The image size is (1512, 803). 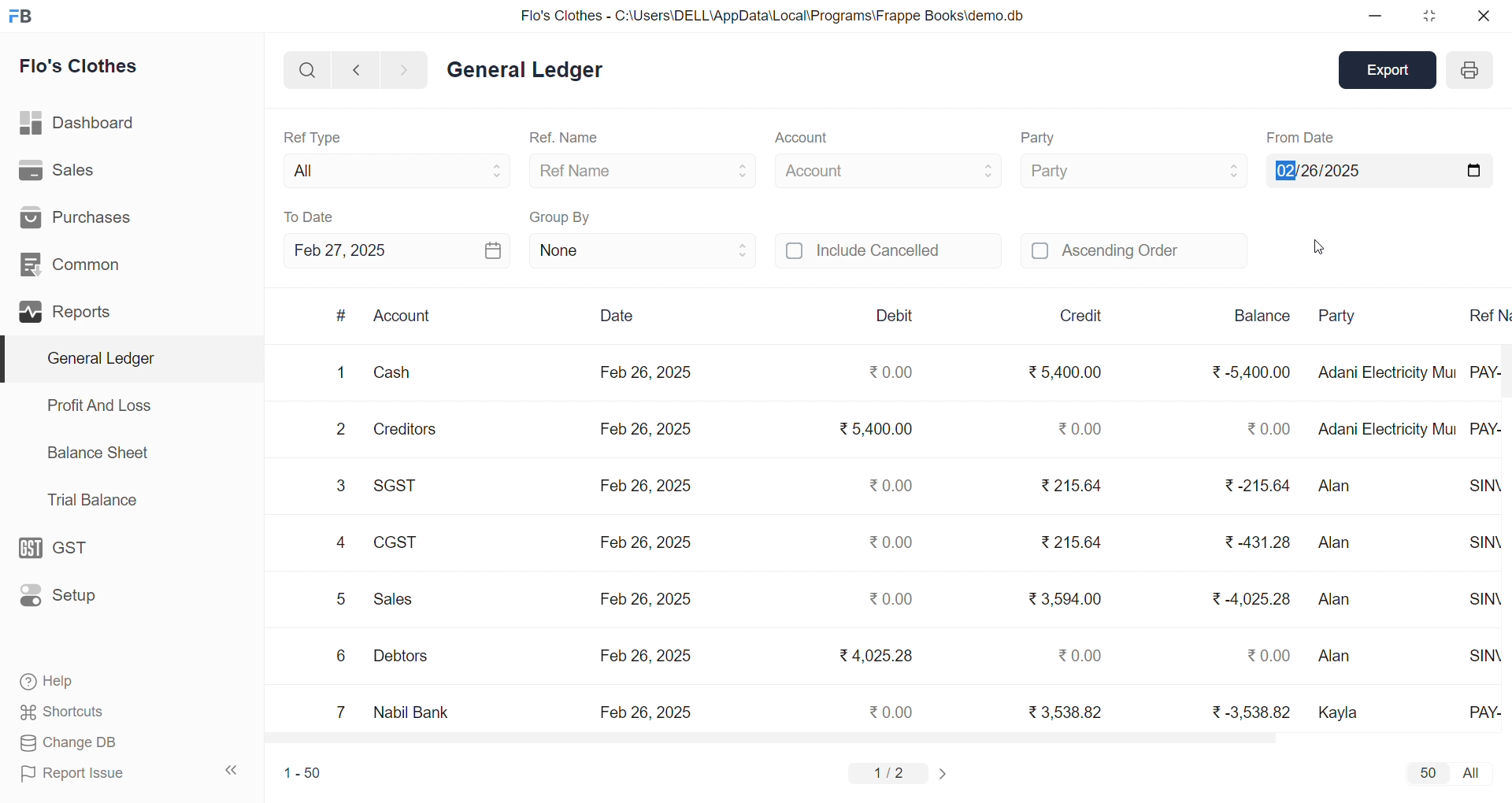 What do you see at coordinates (1386, 372) in the screenshot?
I see `Adani Electricity Mui..` at bounding box center [1386, 372].